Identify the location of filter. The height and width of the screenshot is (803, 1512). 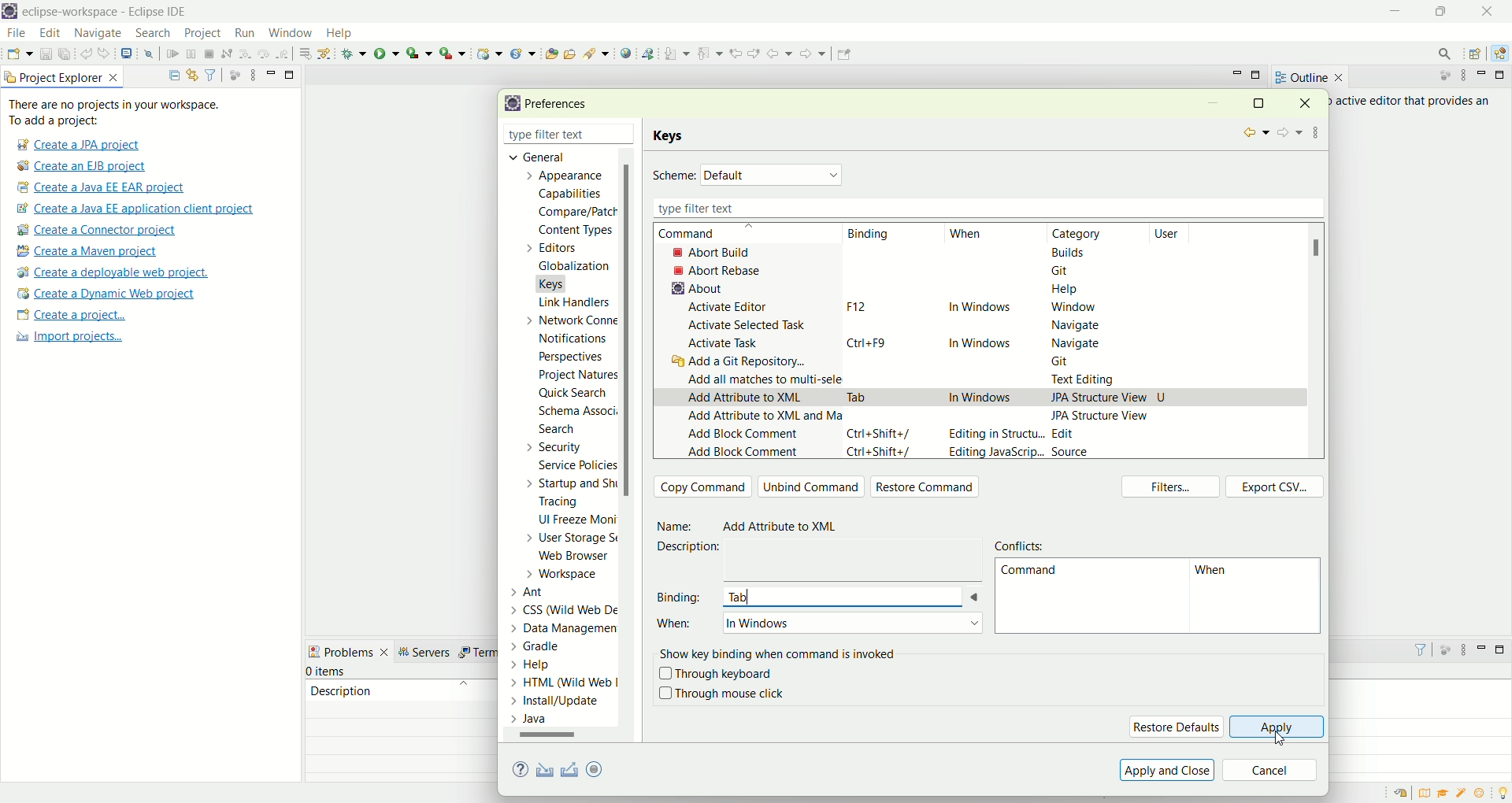
(1414, 649).